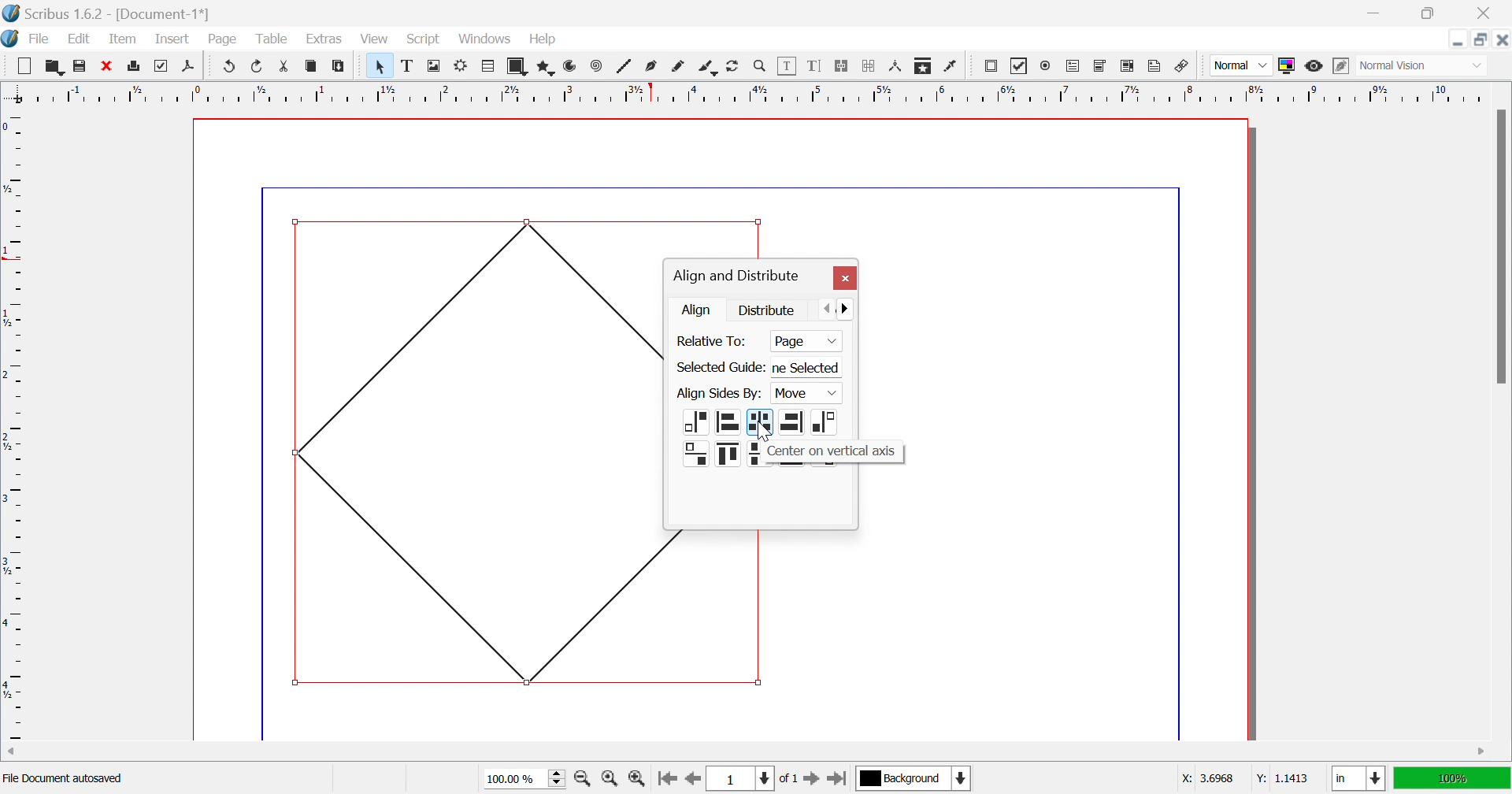 This screenshot has width=1512, height=794. What do you see at coordinates (653, 65) in the screenshot?
I see `Bezler curve` at bounding box center [653, 65].